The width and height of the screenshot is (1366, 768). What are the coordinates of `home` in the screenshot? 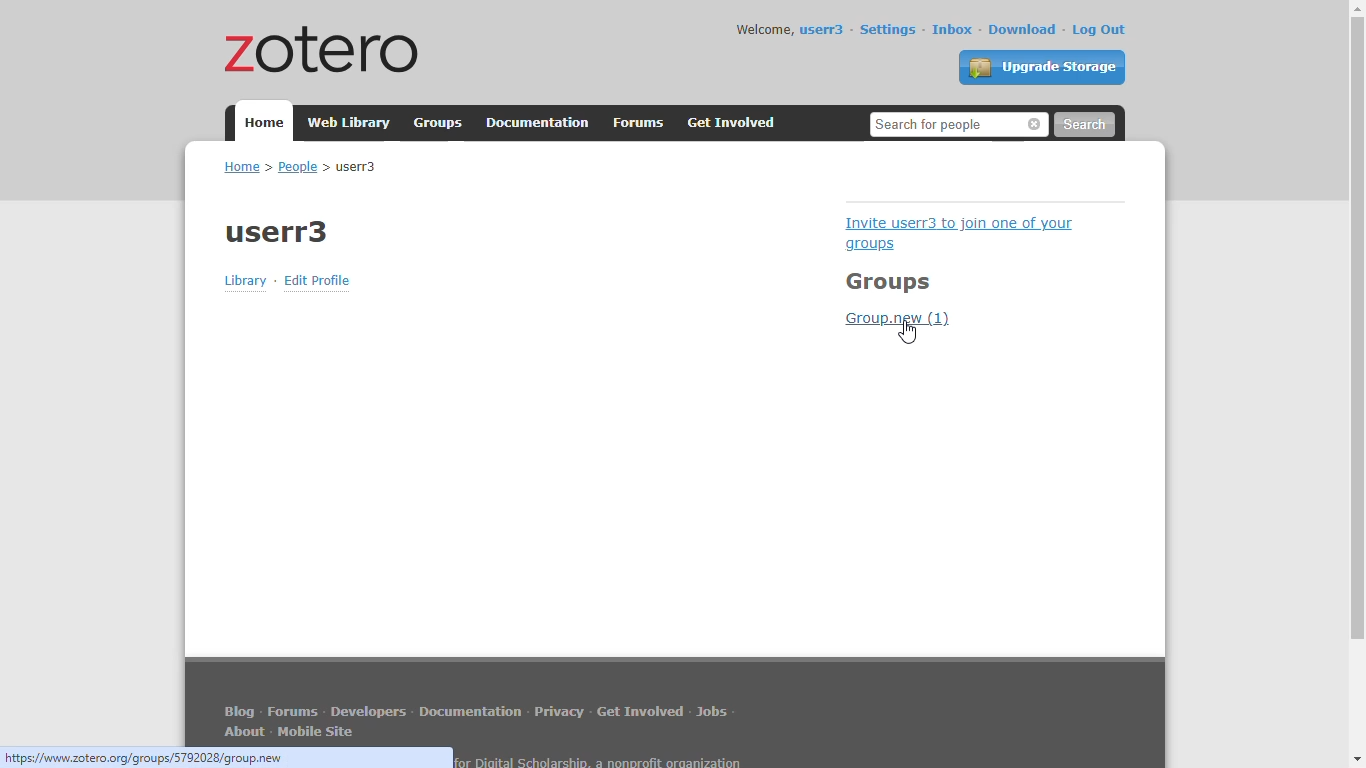 It's located at (265, 121).